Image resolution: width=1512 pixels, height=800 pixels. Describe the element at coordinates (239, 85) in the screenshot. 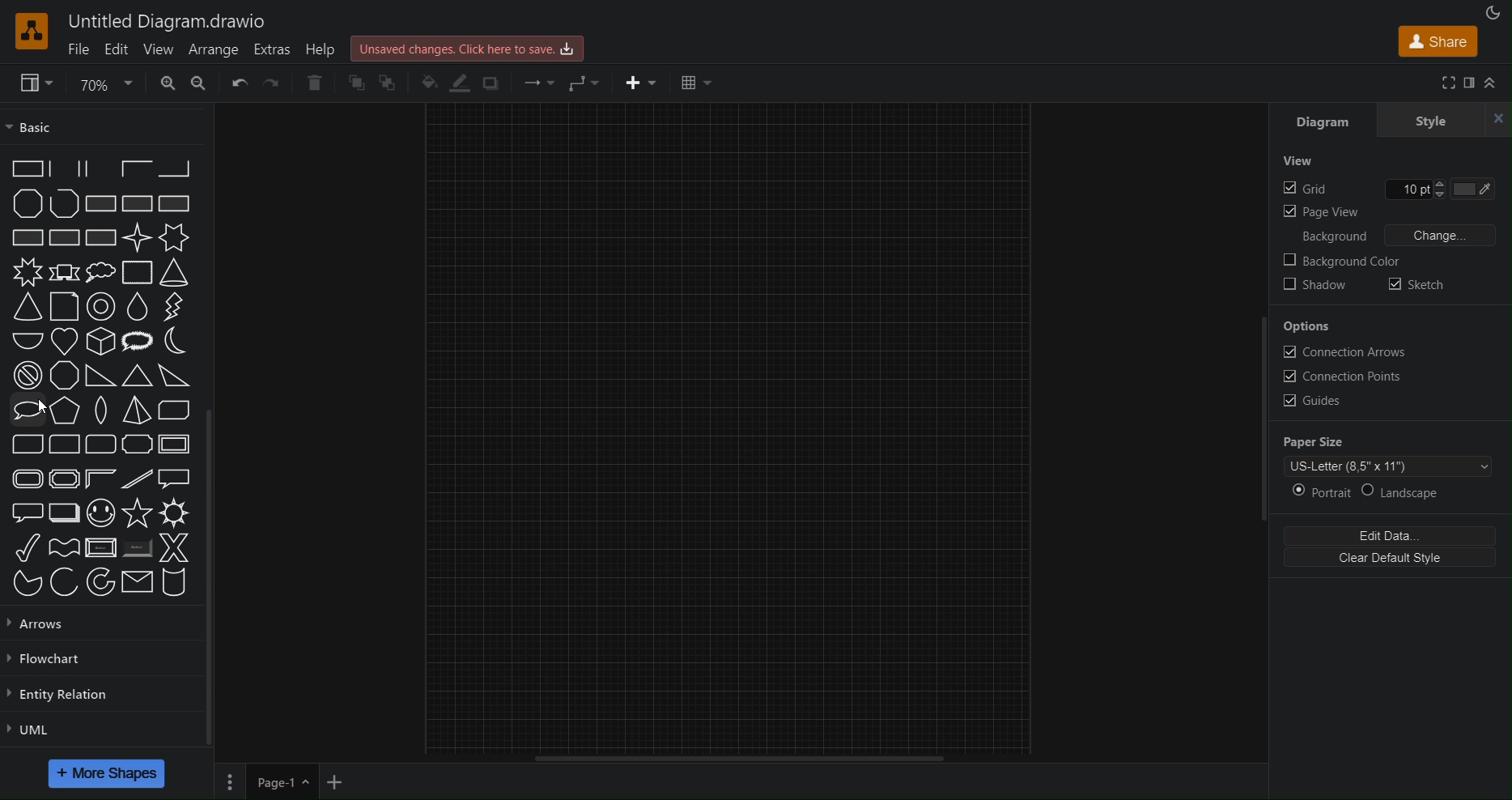

I see `Undo` at that location.